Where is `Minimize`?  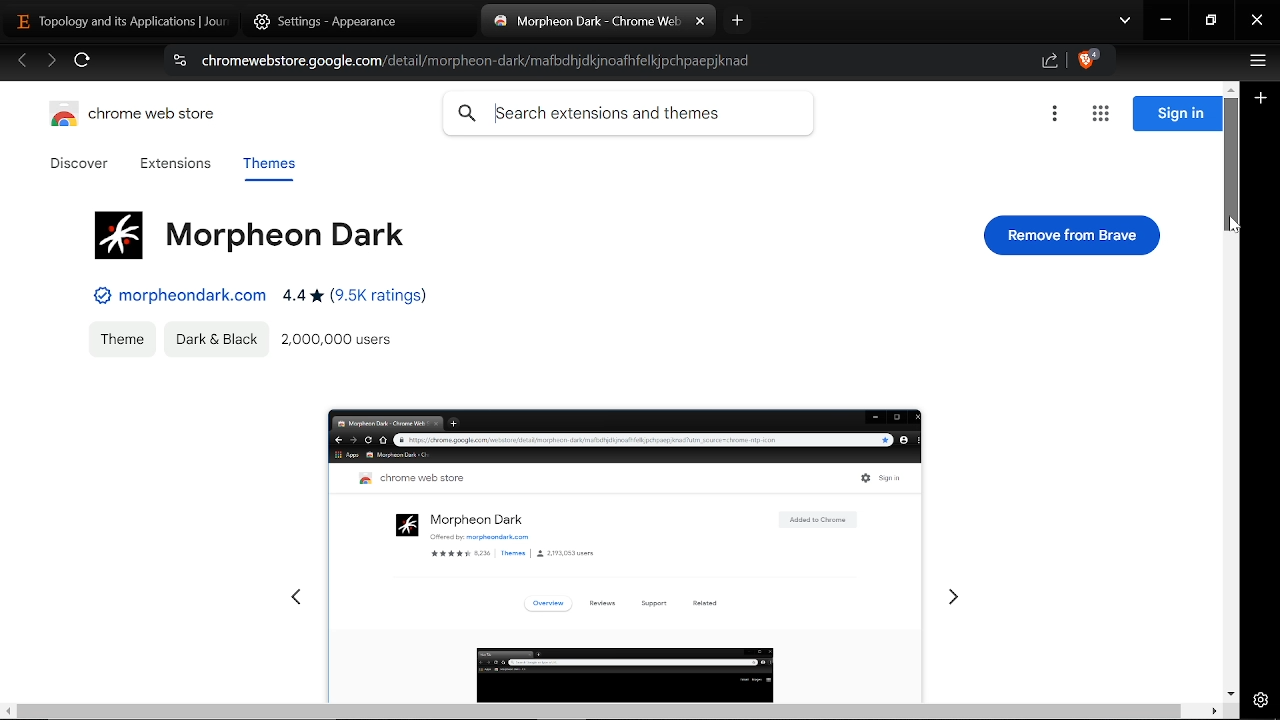
Minimize is located at coordinates (1166, 22).